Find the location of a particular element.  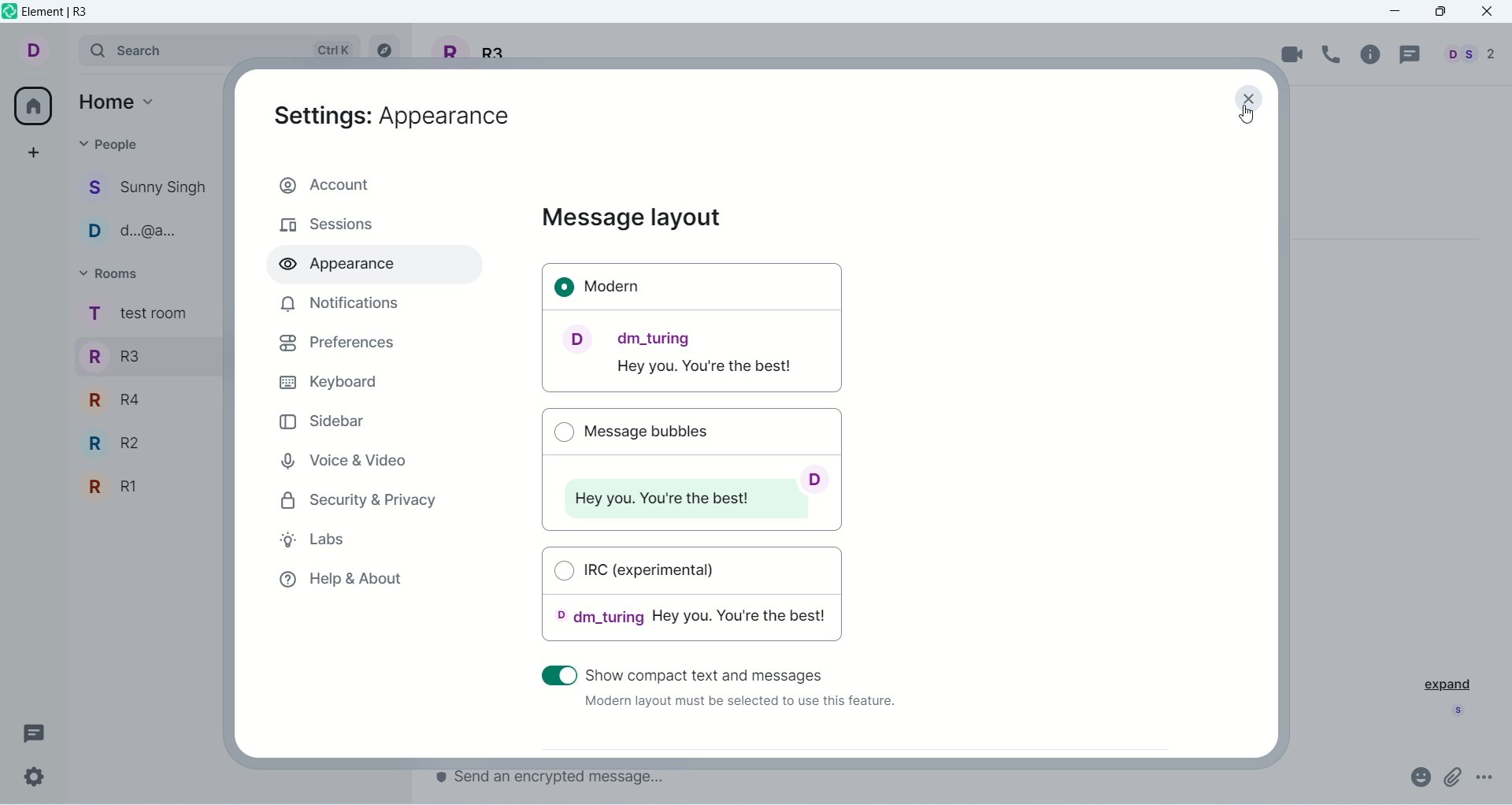

attachment is located at coordinates (1454, 777).